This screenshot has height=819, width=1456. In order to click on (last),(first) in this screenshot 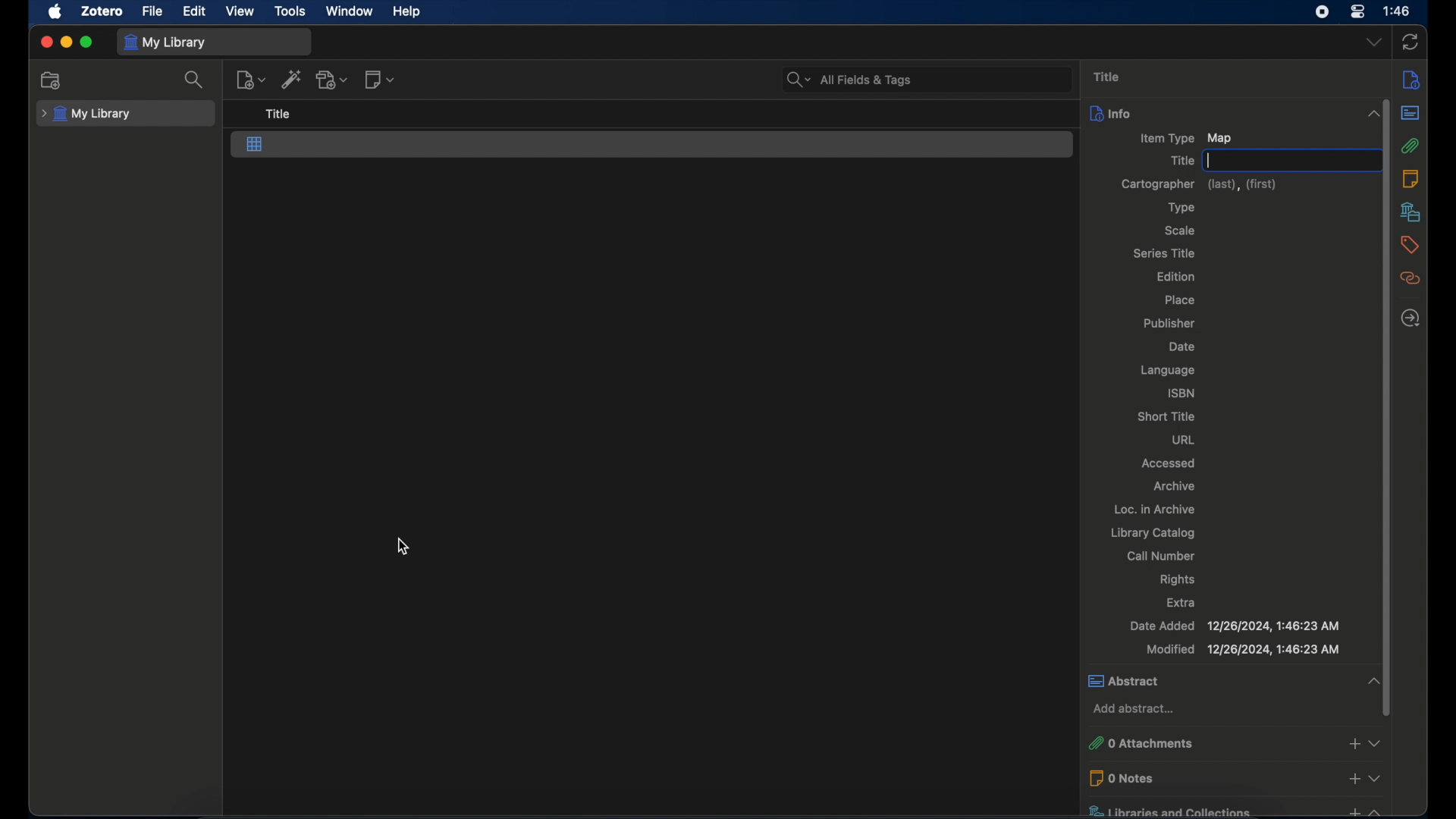, I will do `click(1243, 185)`.